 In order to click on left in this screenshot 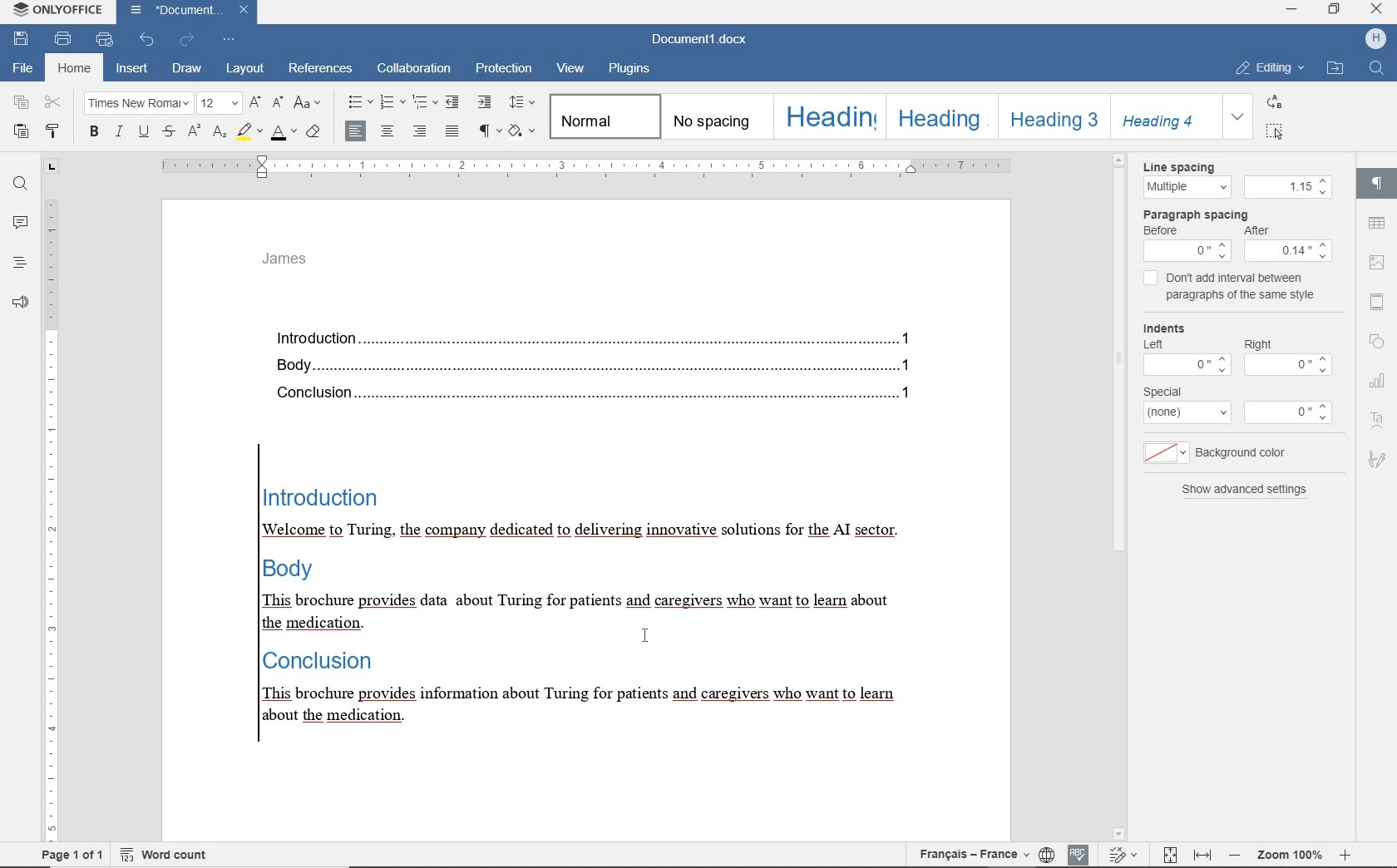, I will do `click(1152, 343)`.